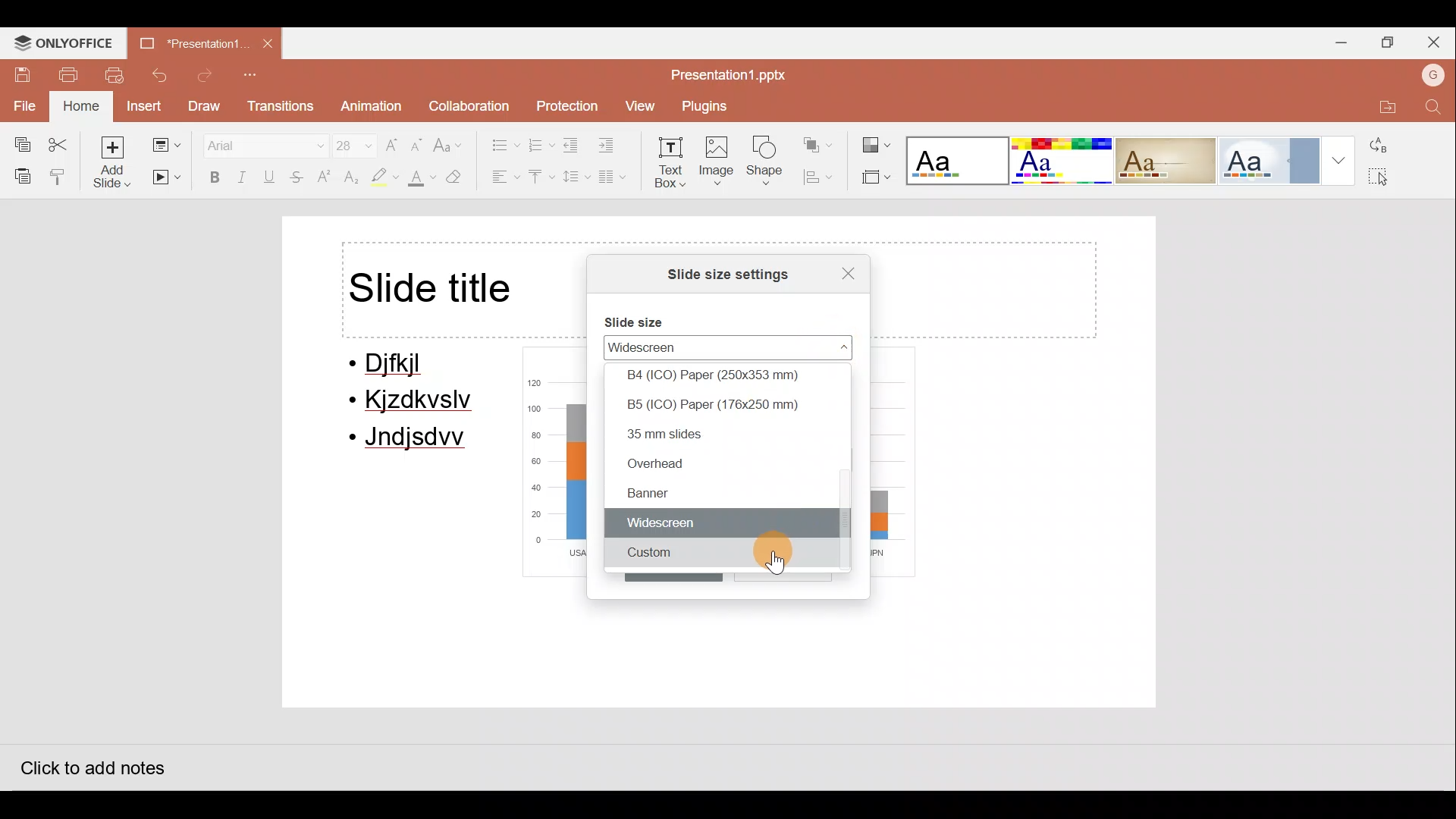  What do you see at coordinates (1429, 74) in the screenshot?
I see `Account name` at bounding box center [1429, 74].